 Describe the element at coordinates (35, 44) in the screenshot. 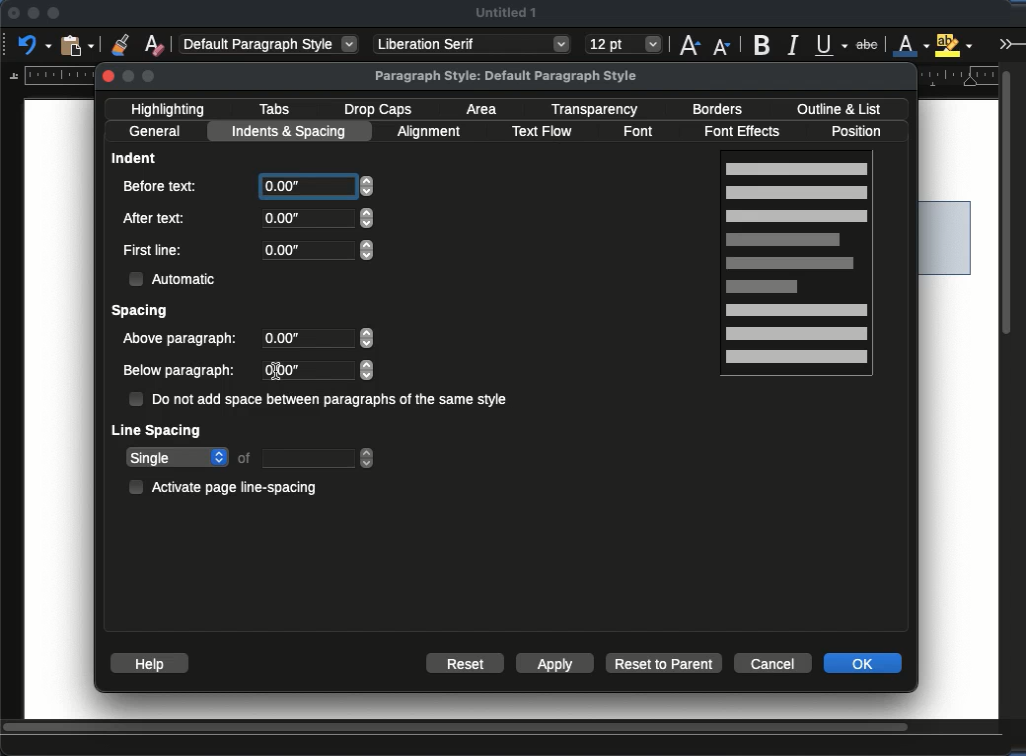

I see `undo` at that location.